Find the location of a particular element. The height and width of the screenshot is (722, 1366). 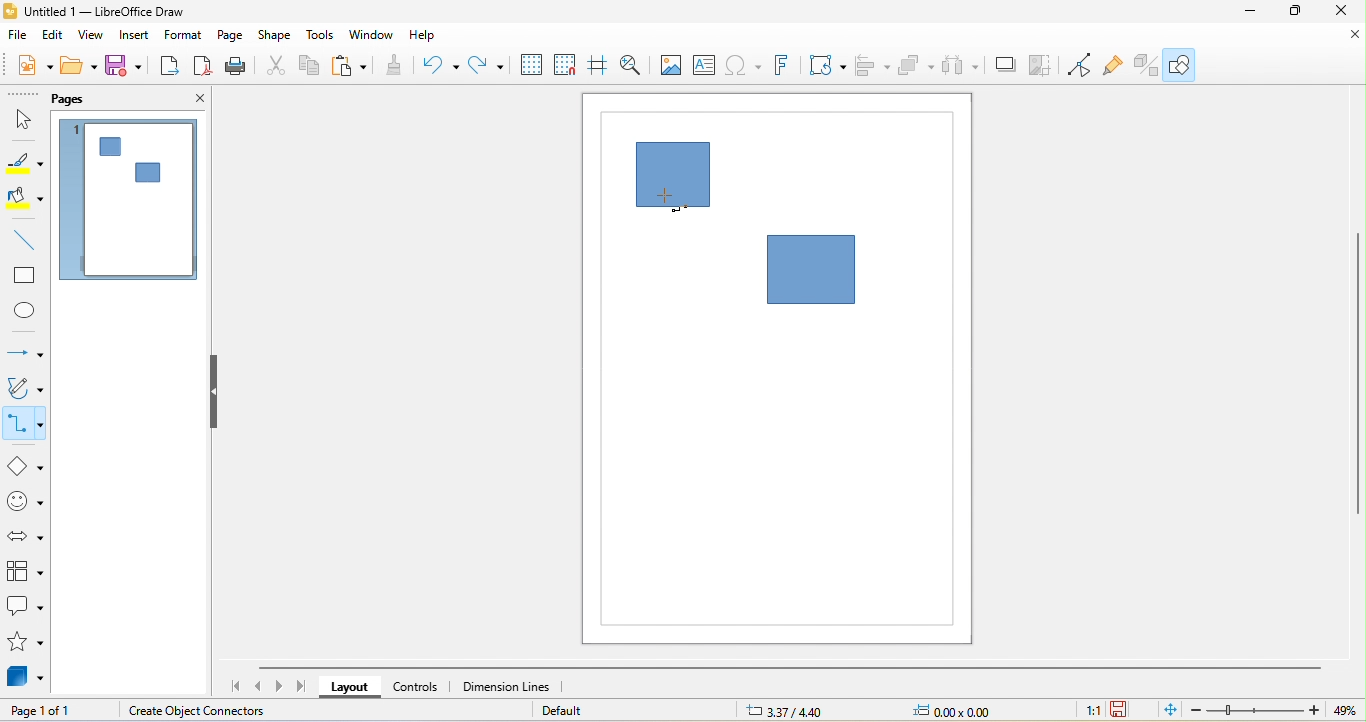

zoom is located at coordinates (1278, 709).